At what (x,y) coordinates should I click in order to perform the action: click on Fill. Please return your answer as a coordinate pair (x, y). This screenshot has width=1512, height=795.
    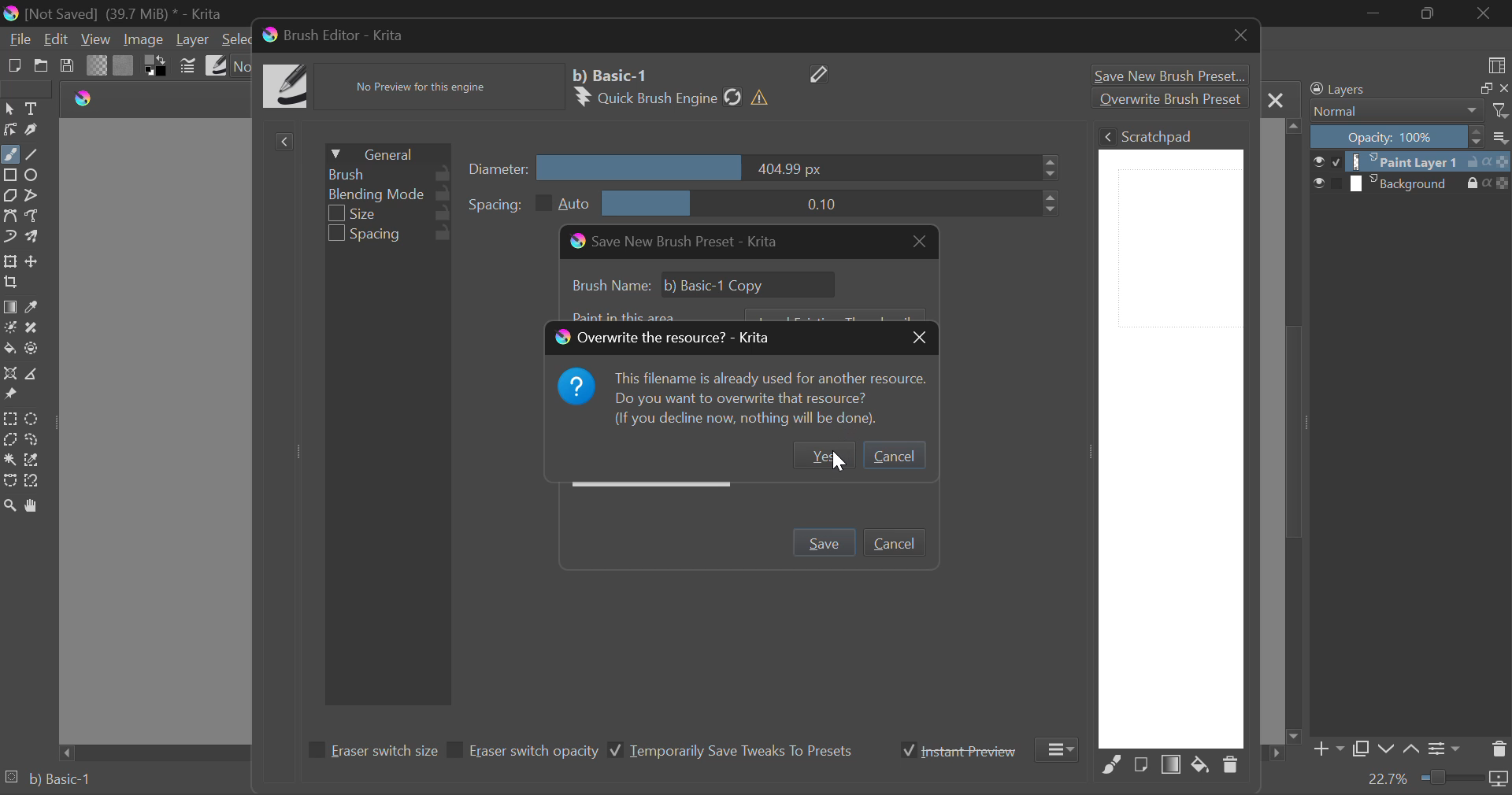
    Looking at the image, I should click on (10, 349).